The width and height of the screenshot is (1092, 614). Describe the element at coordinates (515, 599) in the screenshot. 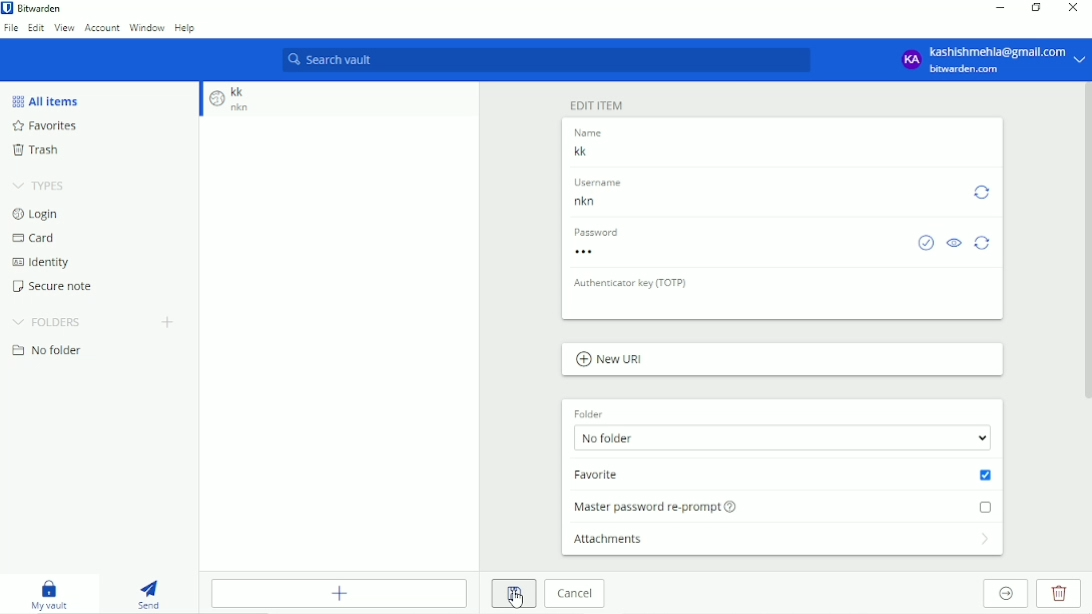

I see `Cursor` at that location.